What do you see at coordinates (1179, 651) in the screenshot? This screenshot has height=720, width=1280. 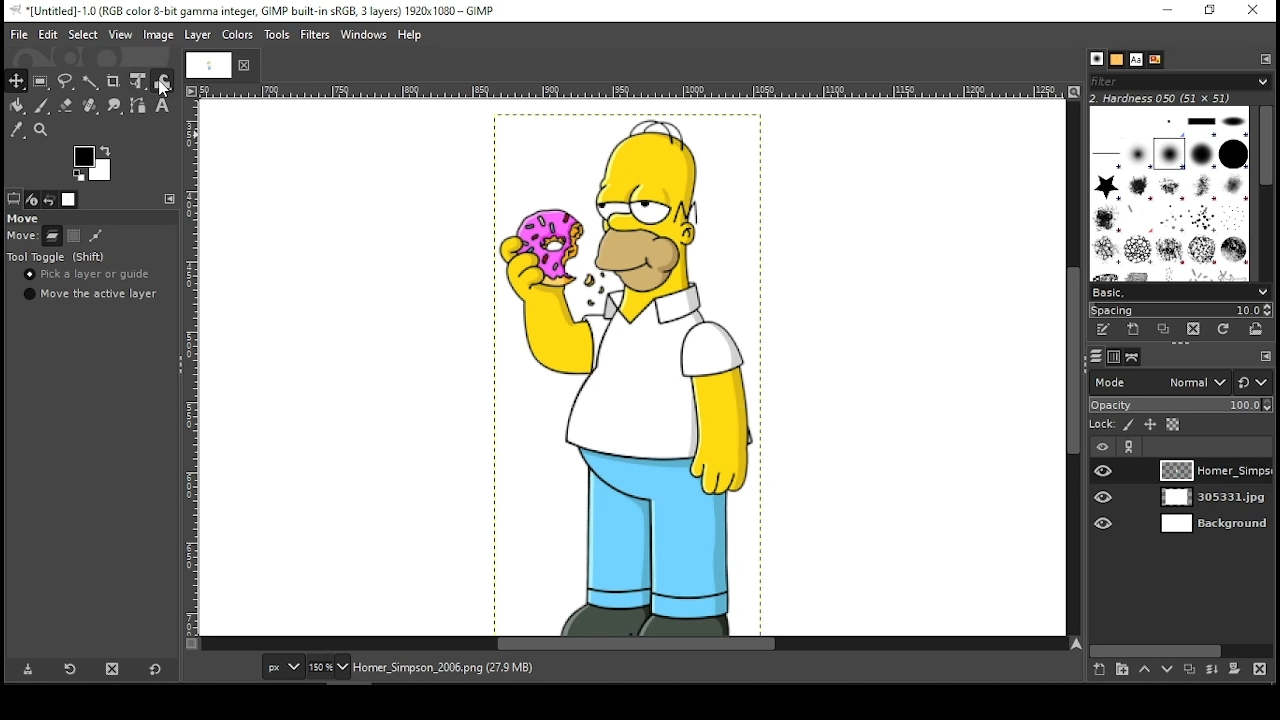 I see `scroll bar` at bounding box center [1179, 651].